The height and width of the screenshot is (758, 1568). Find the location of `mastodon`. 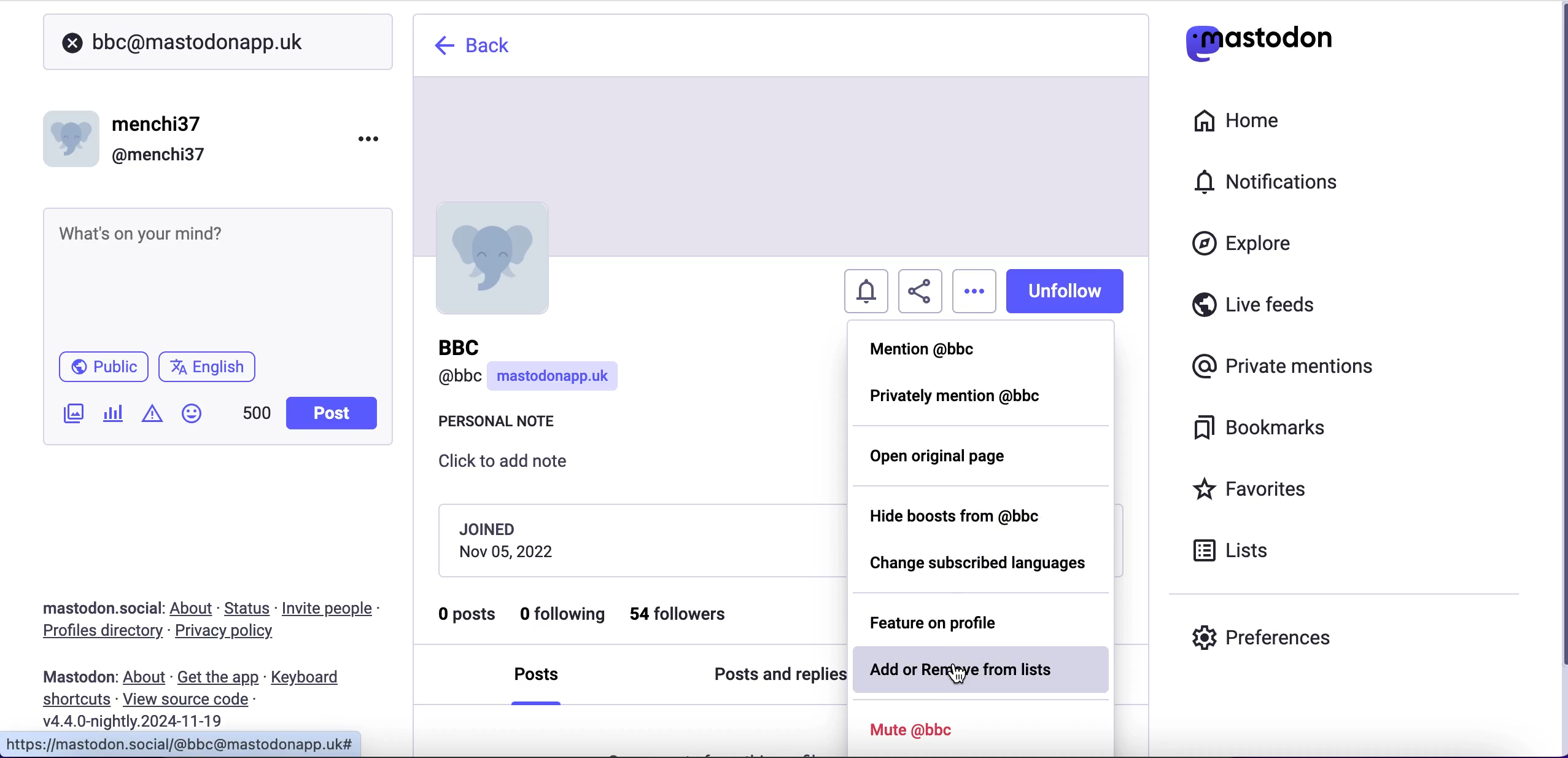

mastodon is located at coordinates (79, 677).